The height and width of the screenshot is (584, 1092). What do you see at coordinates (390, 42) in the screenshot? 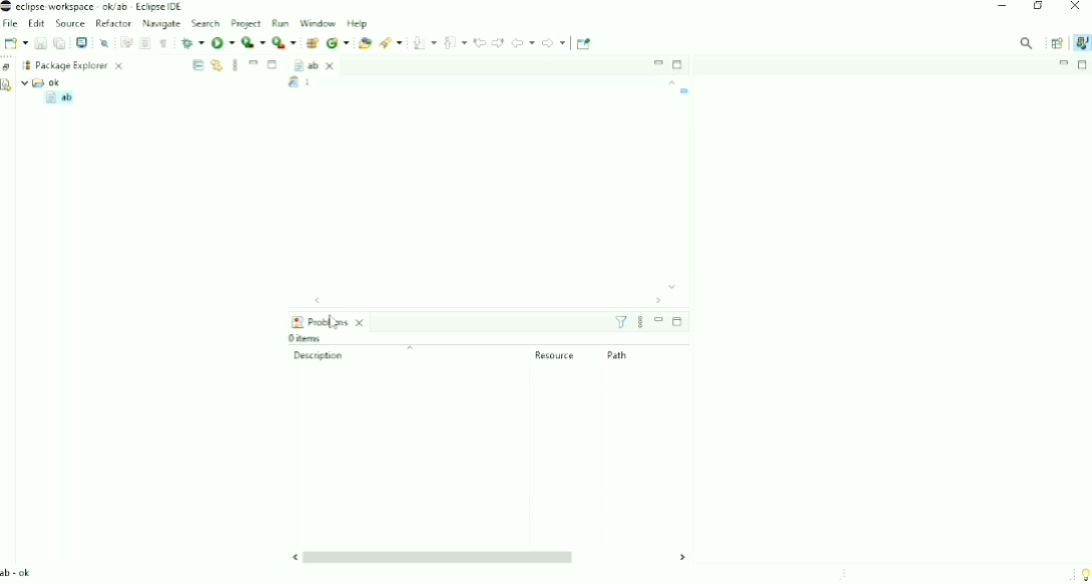
I see `Search` at bounding box center [390, 42].